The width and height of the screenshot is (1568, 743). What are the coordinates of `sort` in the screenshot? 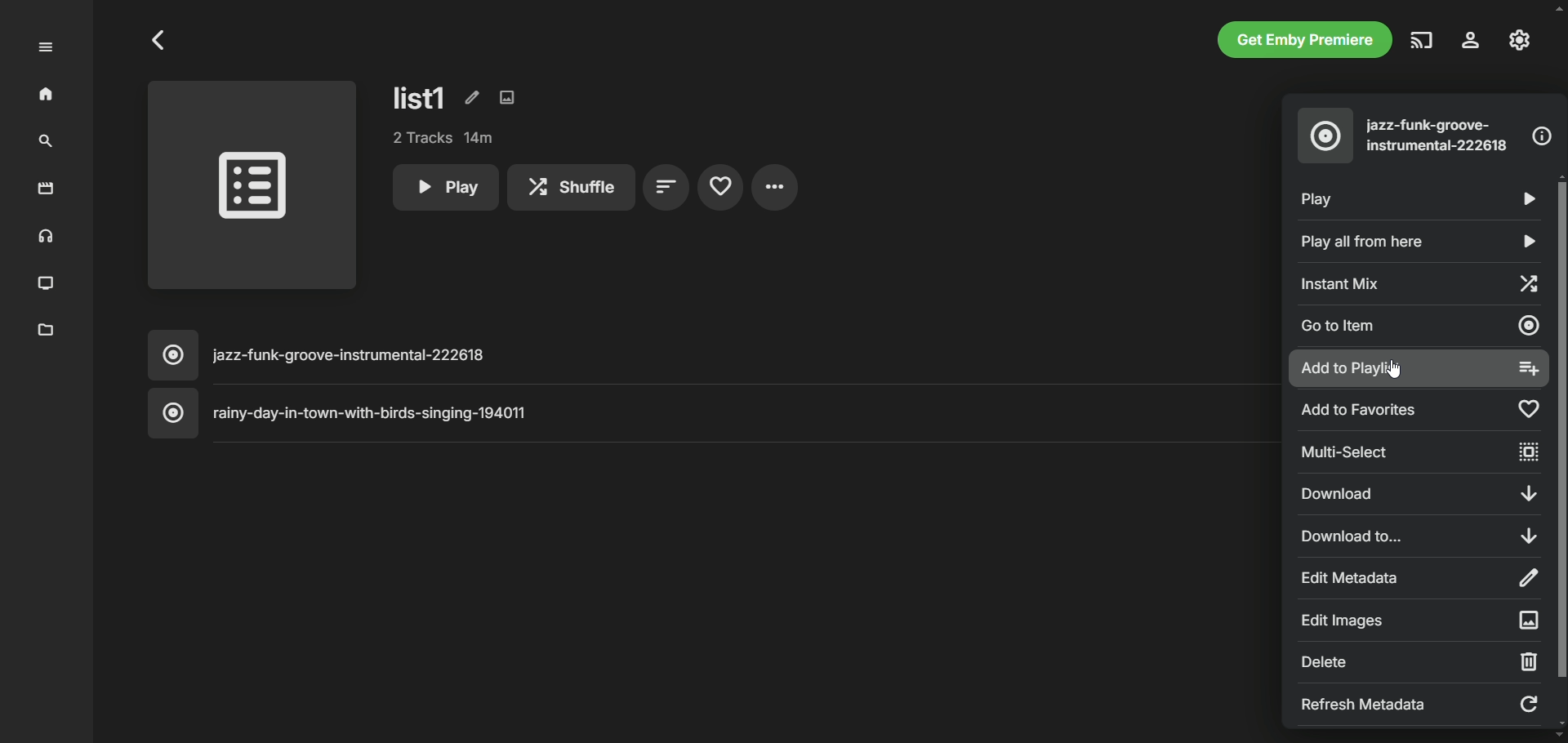 It's located at (666, 188).